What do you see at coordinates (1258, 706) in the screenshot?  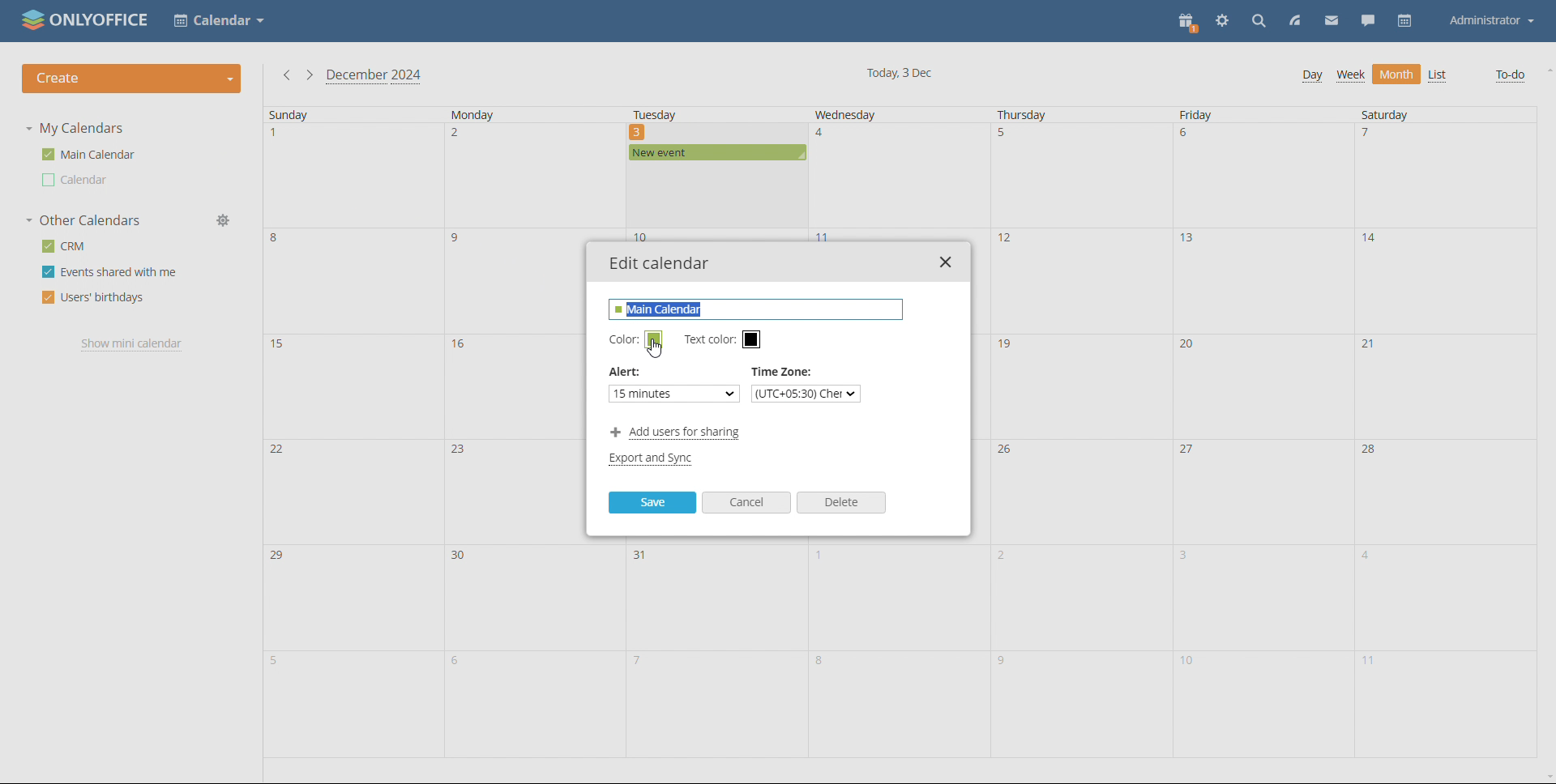 I see `date` at bounding box center [1258, 706].